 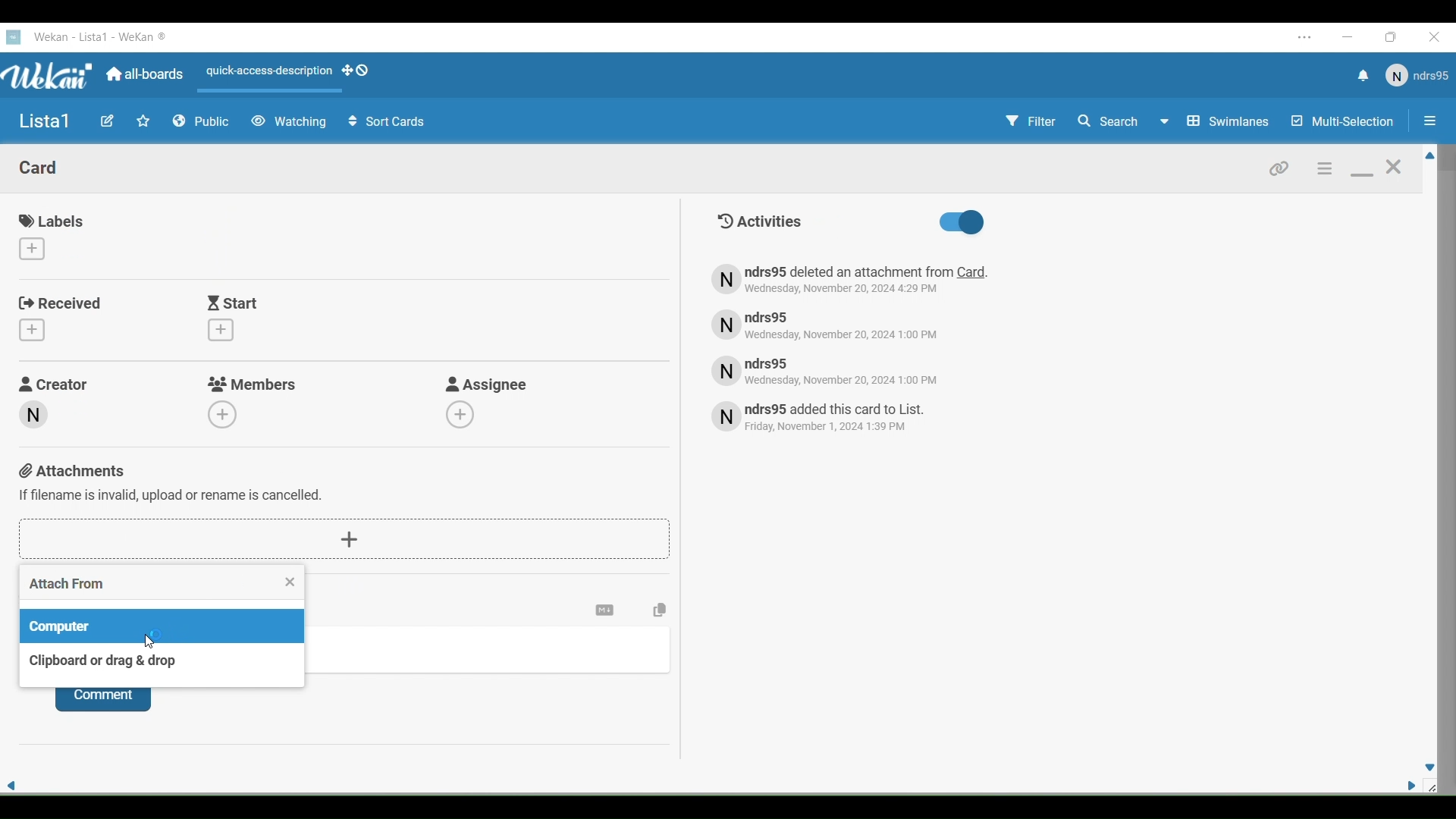 What do you see at coordinates (32, 415) in the screenshot?
I see `Creator` at bounding box center [32, 415].